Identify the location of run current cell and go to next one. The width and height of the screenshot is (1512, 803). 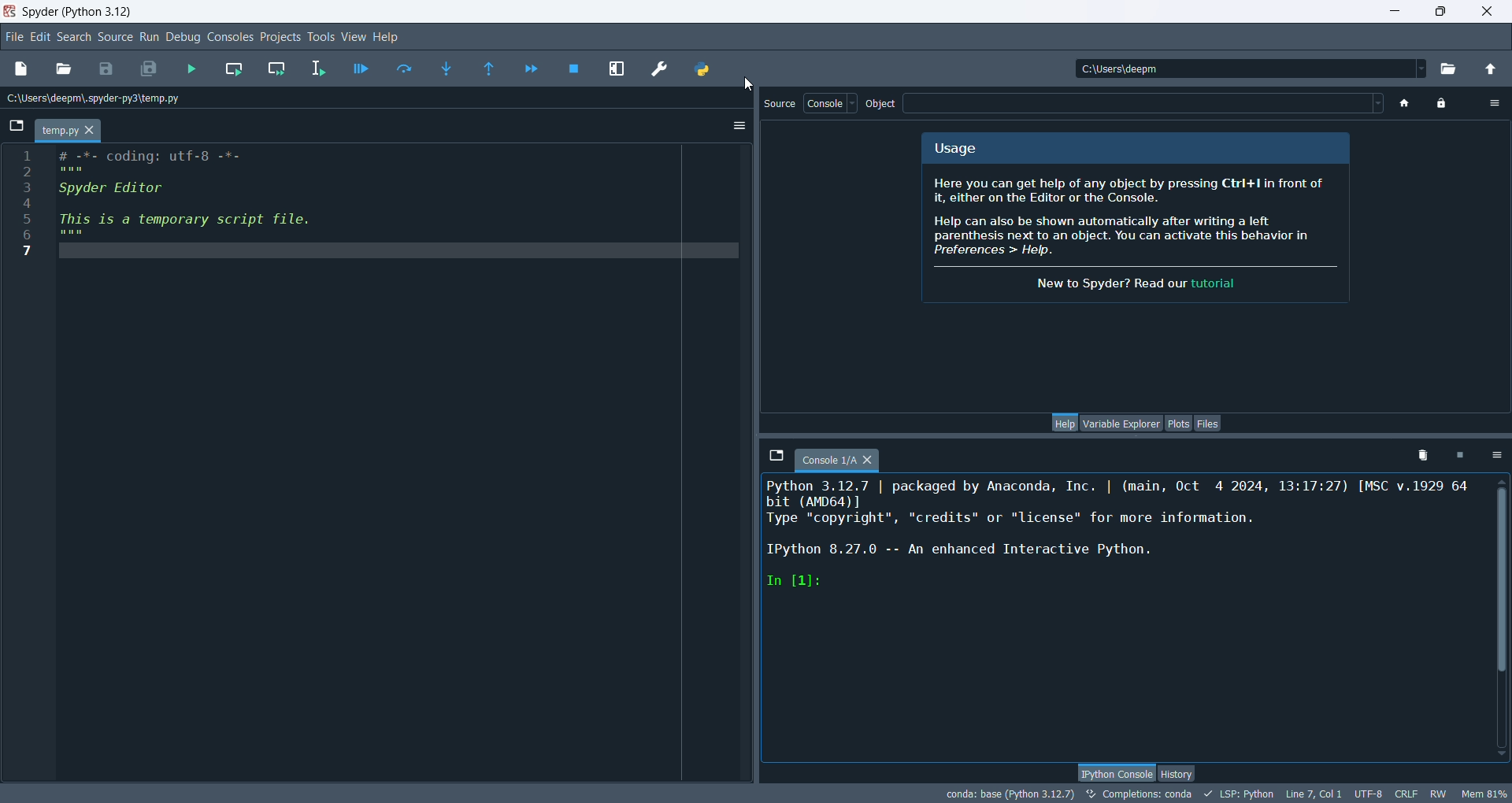
(276, 68).